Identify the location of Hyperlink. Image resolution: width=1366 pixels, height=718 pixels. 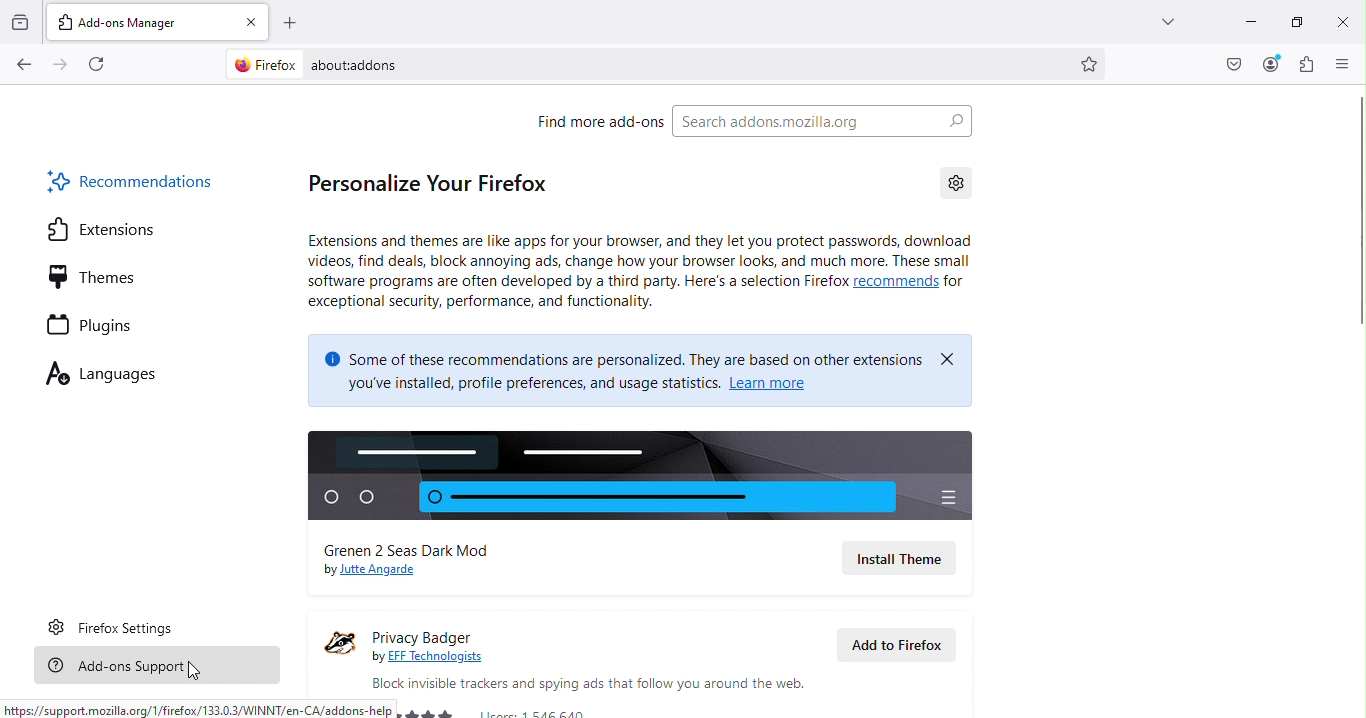
(369, 572).